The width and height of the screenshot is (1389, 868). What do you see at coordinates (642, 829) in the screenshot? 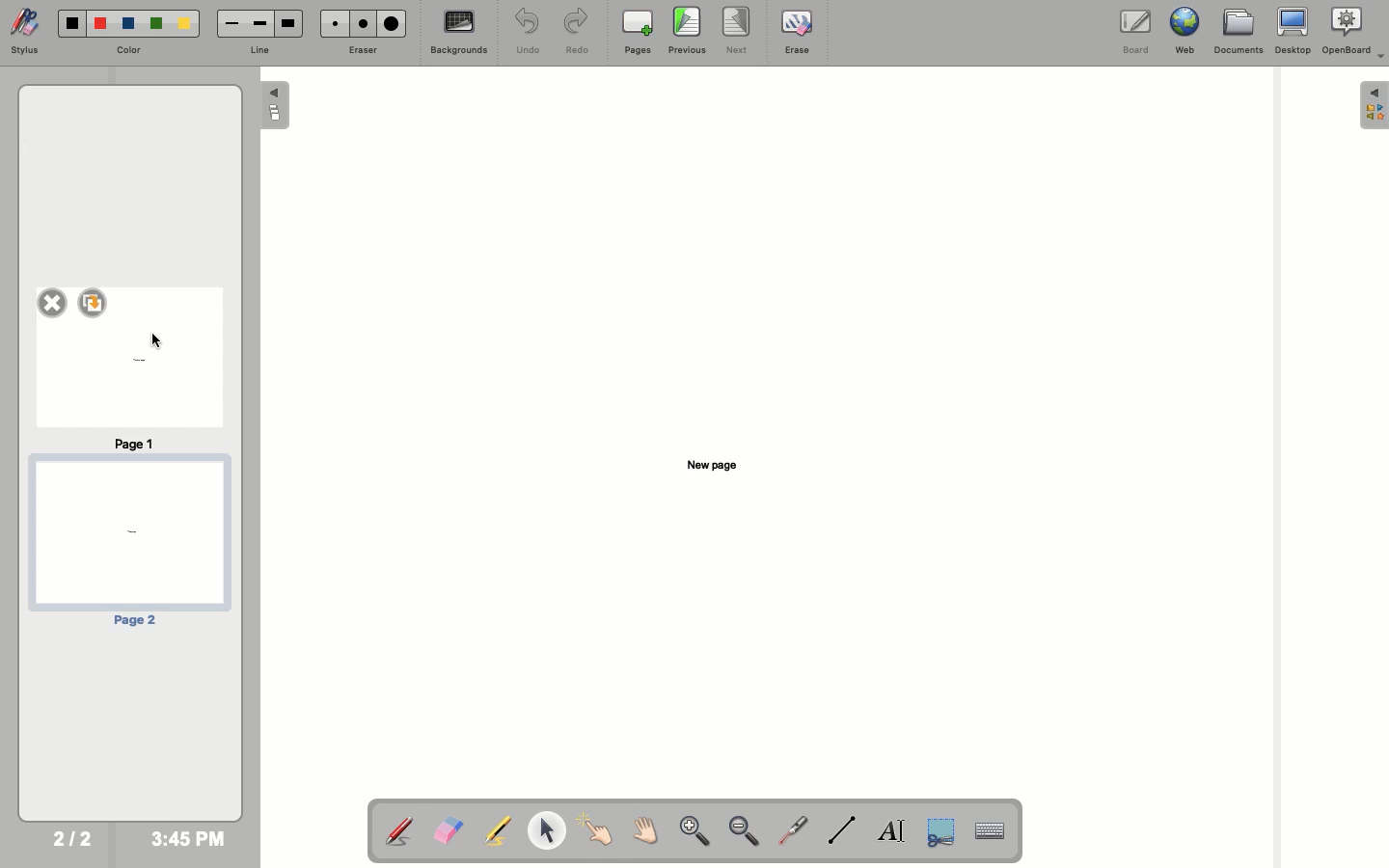
I see `Move page` at bounding box center [642, 829].